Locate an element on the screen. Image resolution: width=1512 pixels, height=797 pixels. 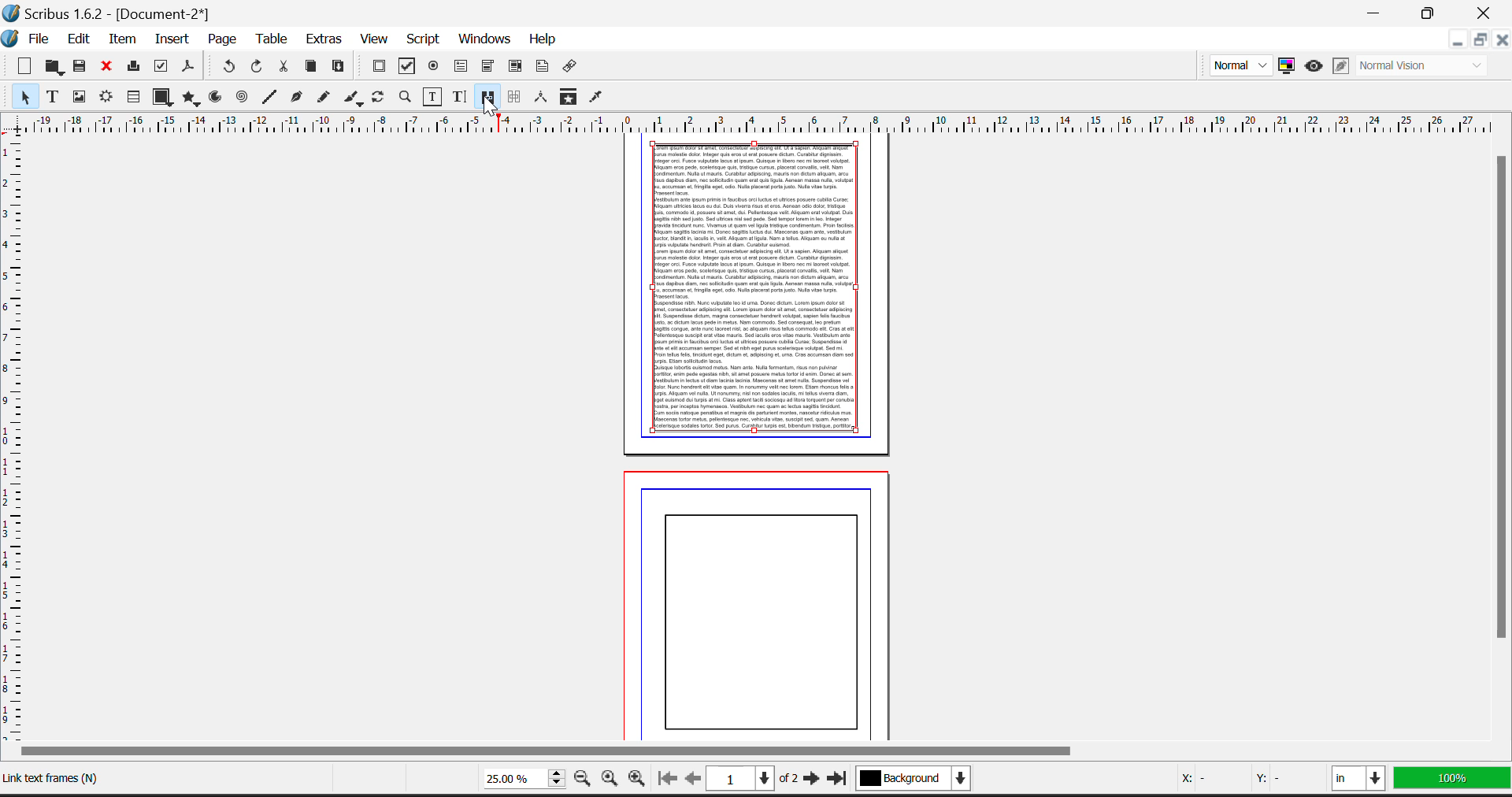
Redo is located at coordinates (259, 69).